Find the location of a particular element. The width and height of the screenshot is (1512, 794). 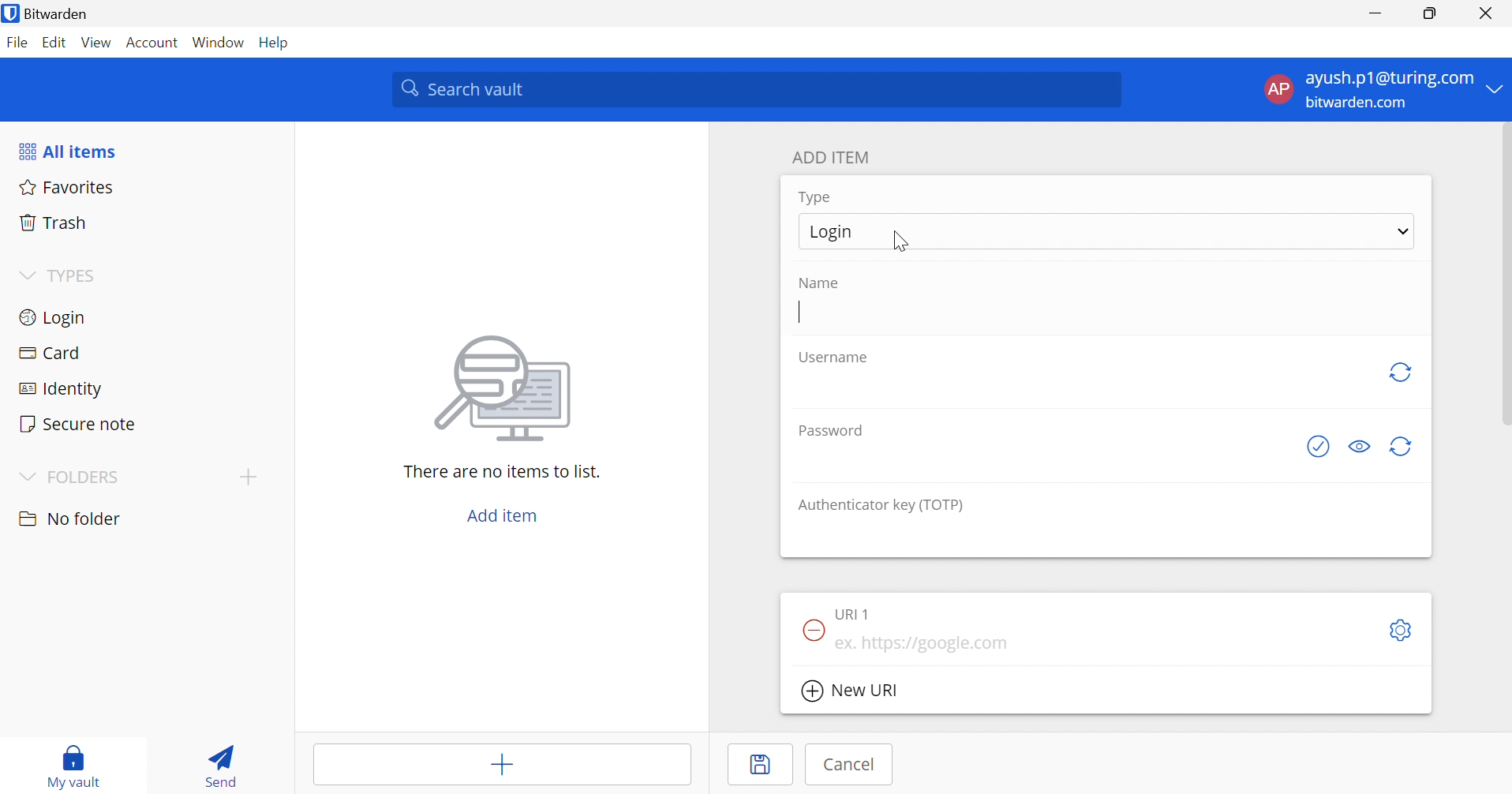

Edit is located at coordinates (54, 41).